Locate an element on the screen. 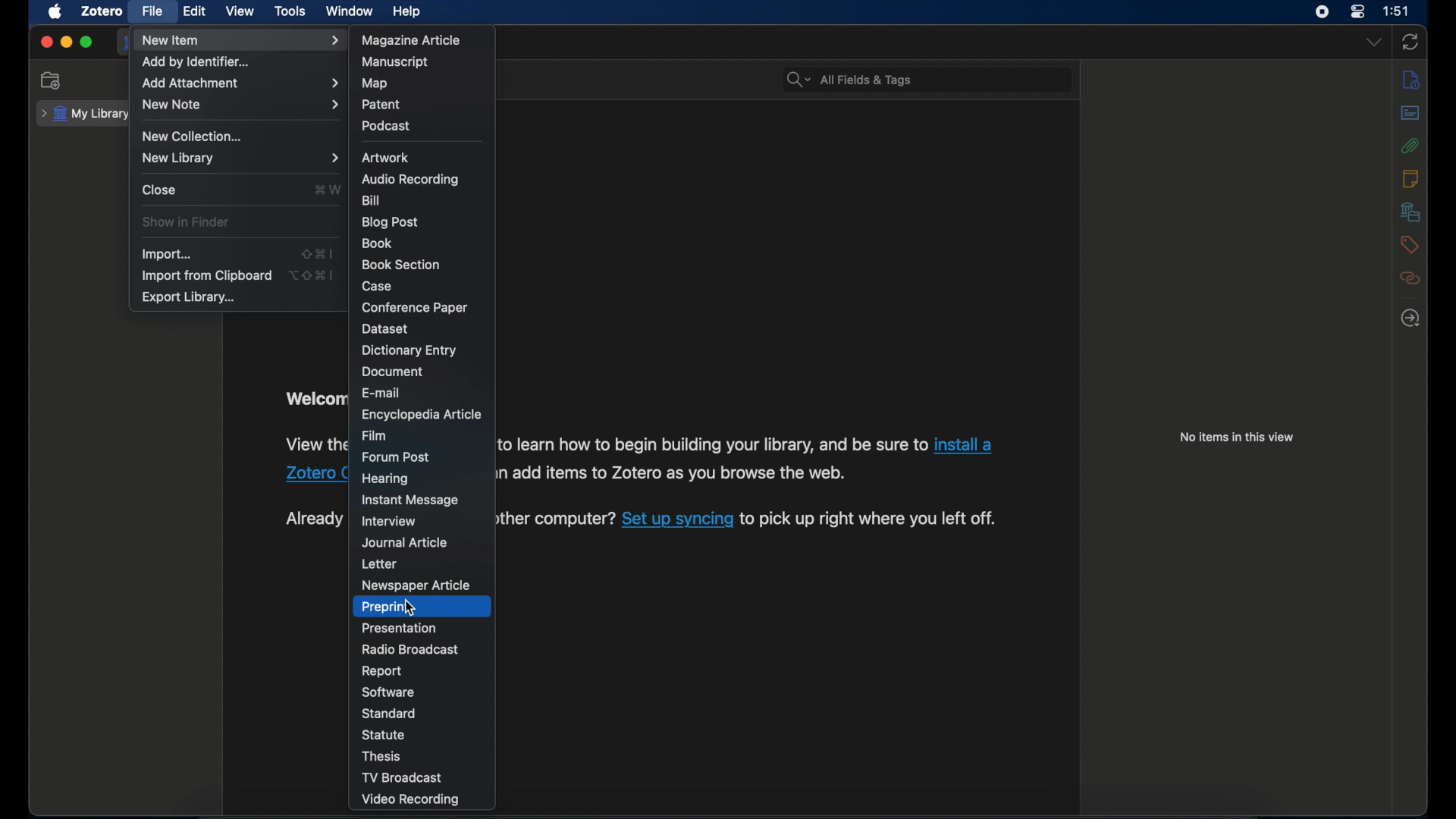 The width and height of the screenshot is (1456, 819). magazine article is located at coordinates (413, 40).